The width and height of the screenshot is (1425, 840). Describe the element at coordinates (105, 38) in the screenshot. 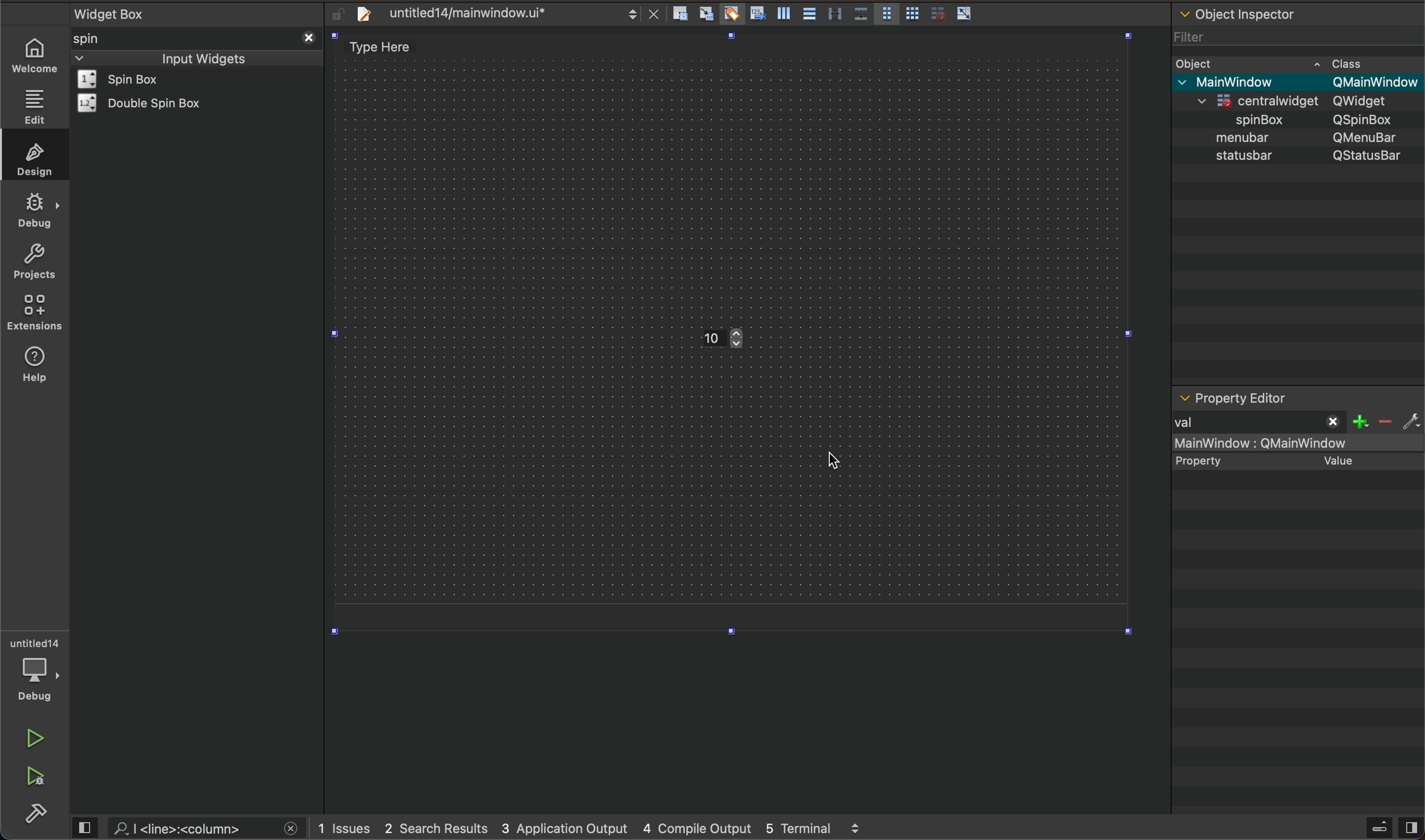

I see `spin` at that location.